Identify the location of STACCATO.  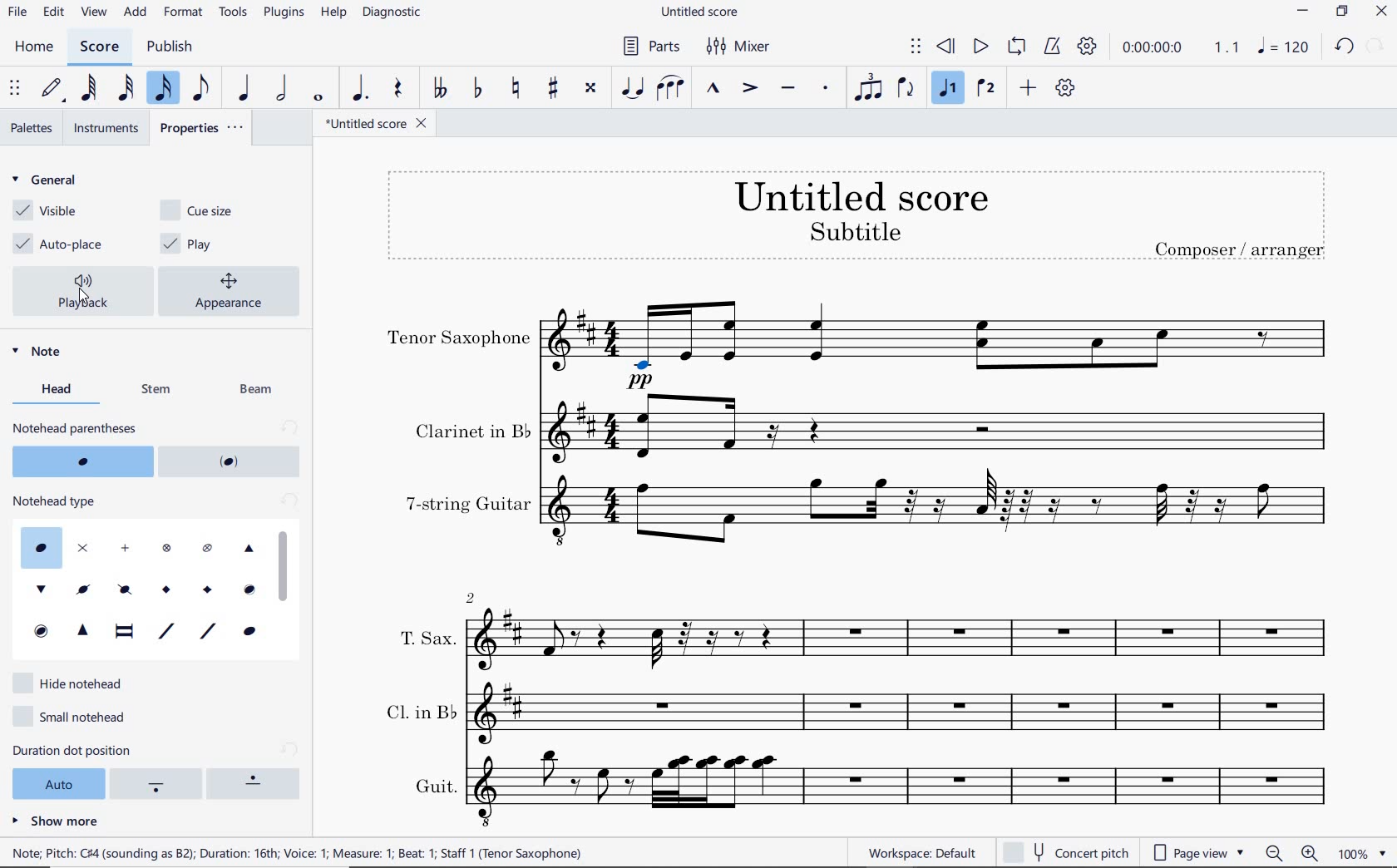
(828, 90).